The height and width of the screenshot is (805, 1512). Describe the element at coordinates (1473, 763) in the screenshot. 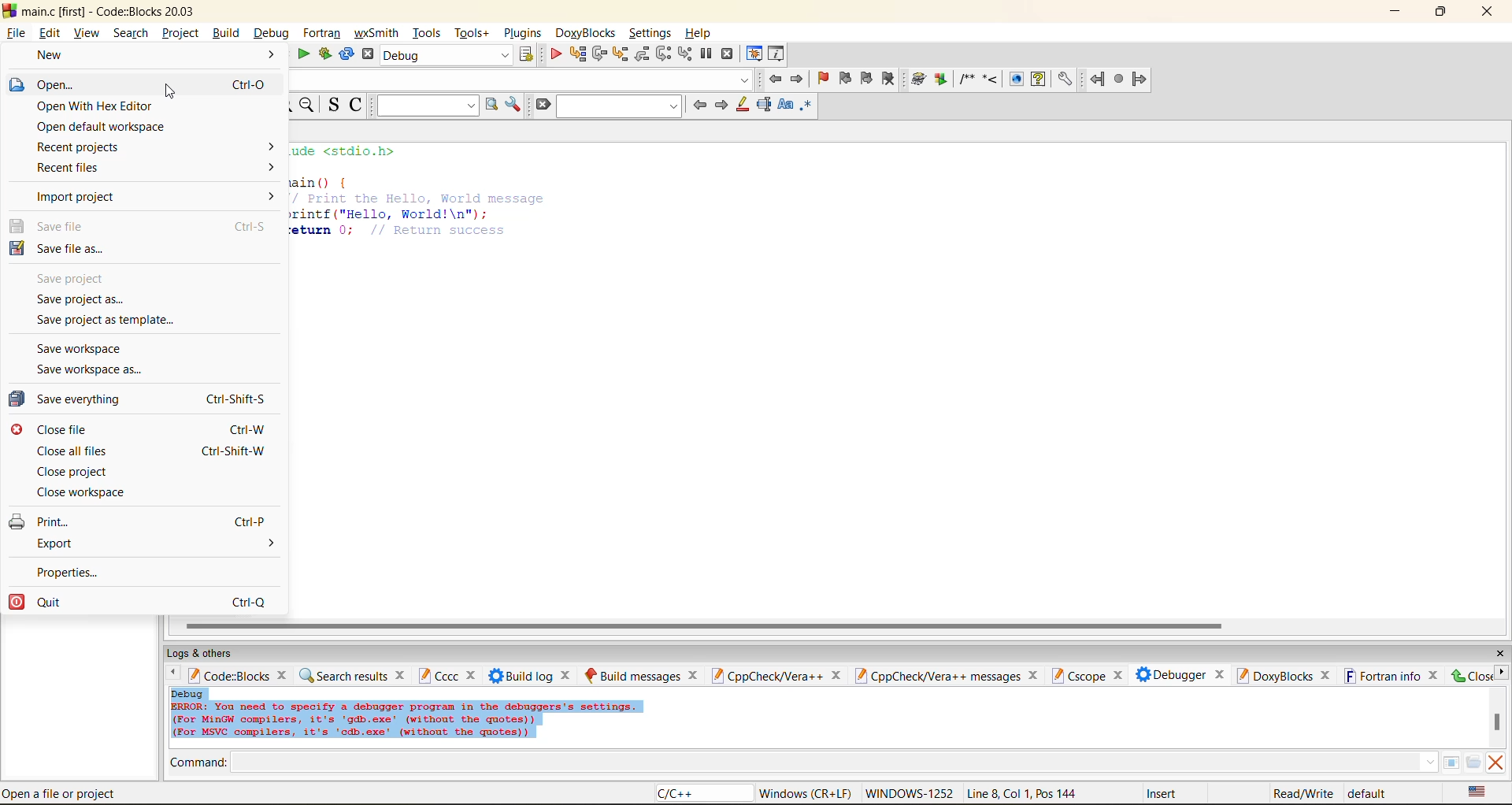

I see `open/browse` at that location.